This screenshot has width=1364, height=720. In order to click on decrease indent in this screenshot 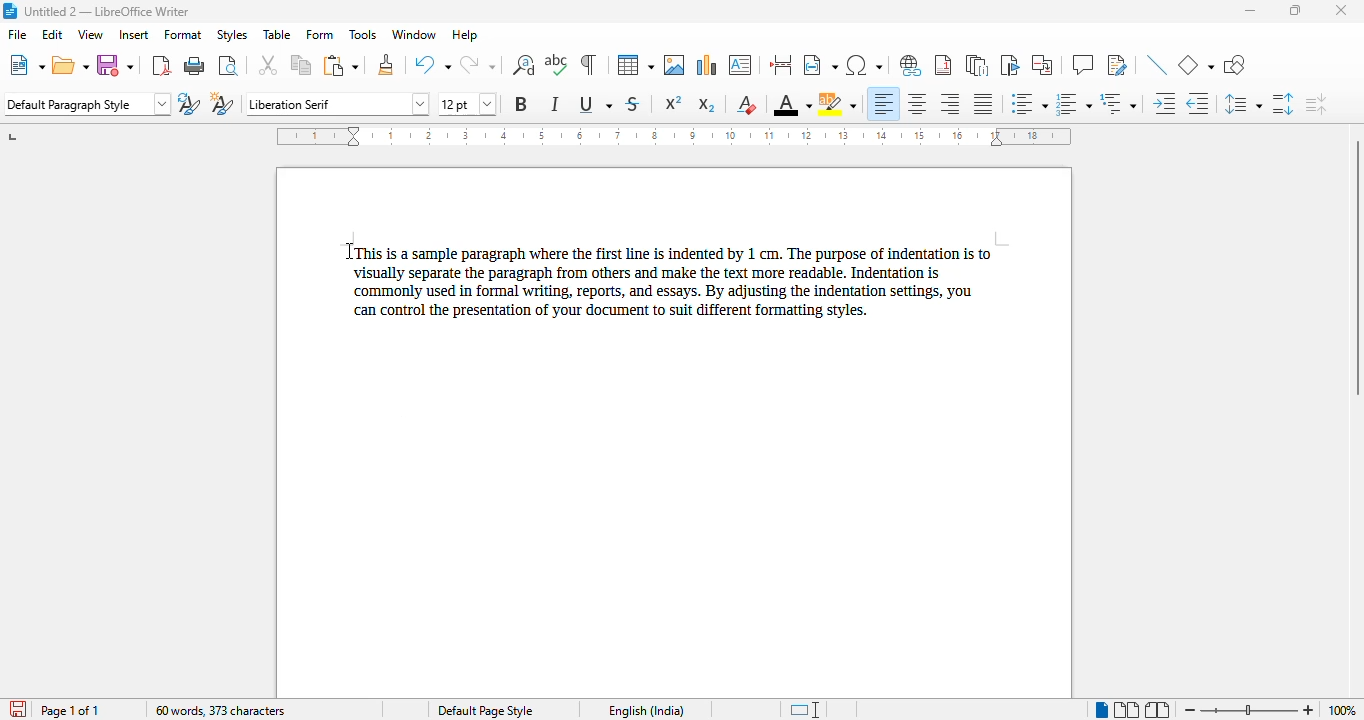, I will do `click(1199, 103)`.